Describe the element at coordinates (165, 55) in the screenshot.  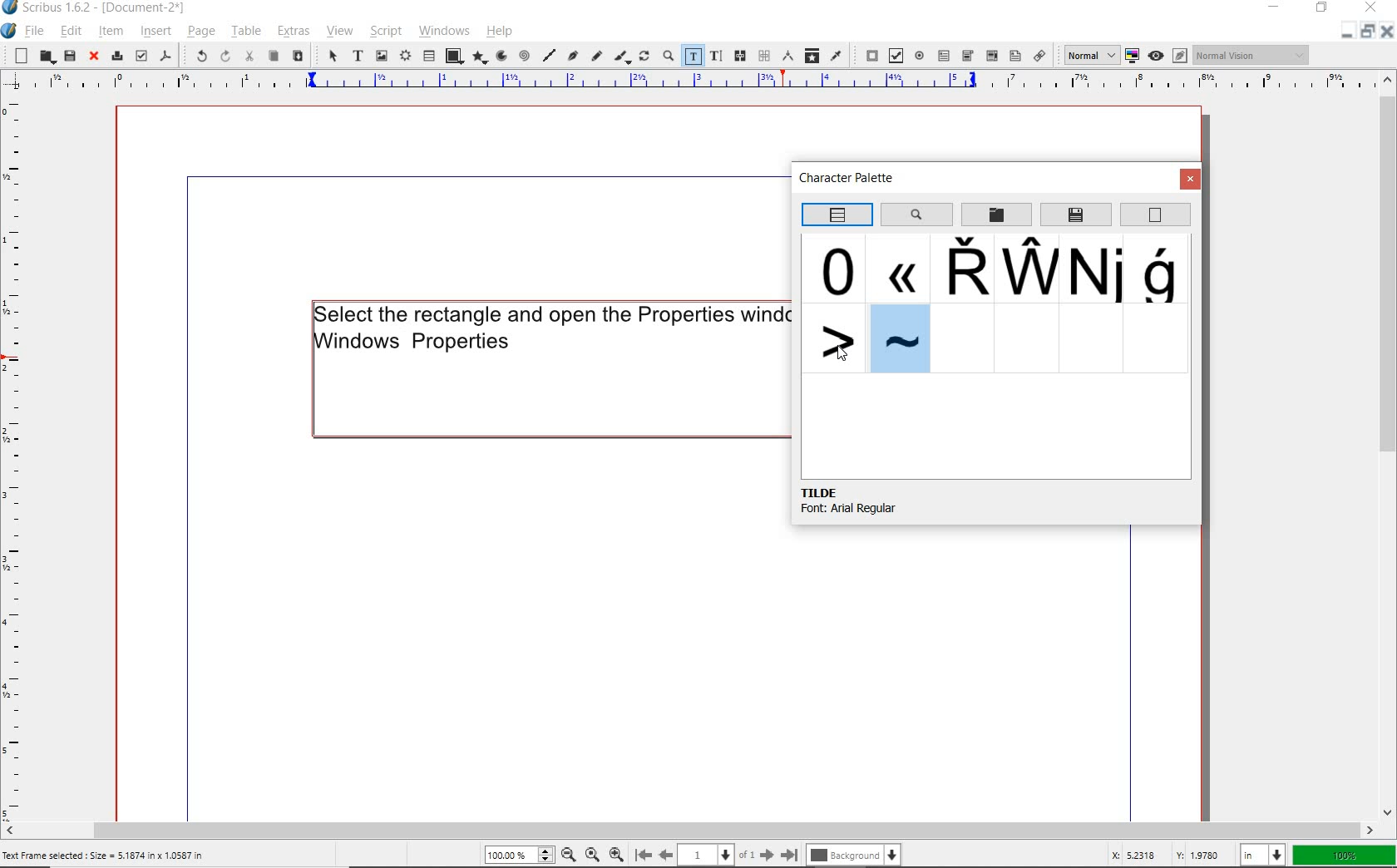
I see `save as pdf` at that location.